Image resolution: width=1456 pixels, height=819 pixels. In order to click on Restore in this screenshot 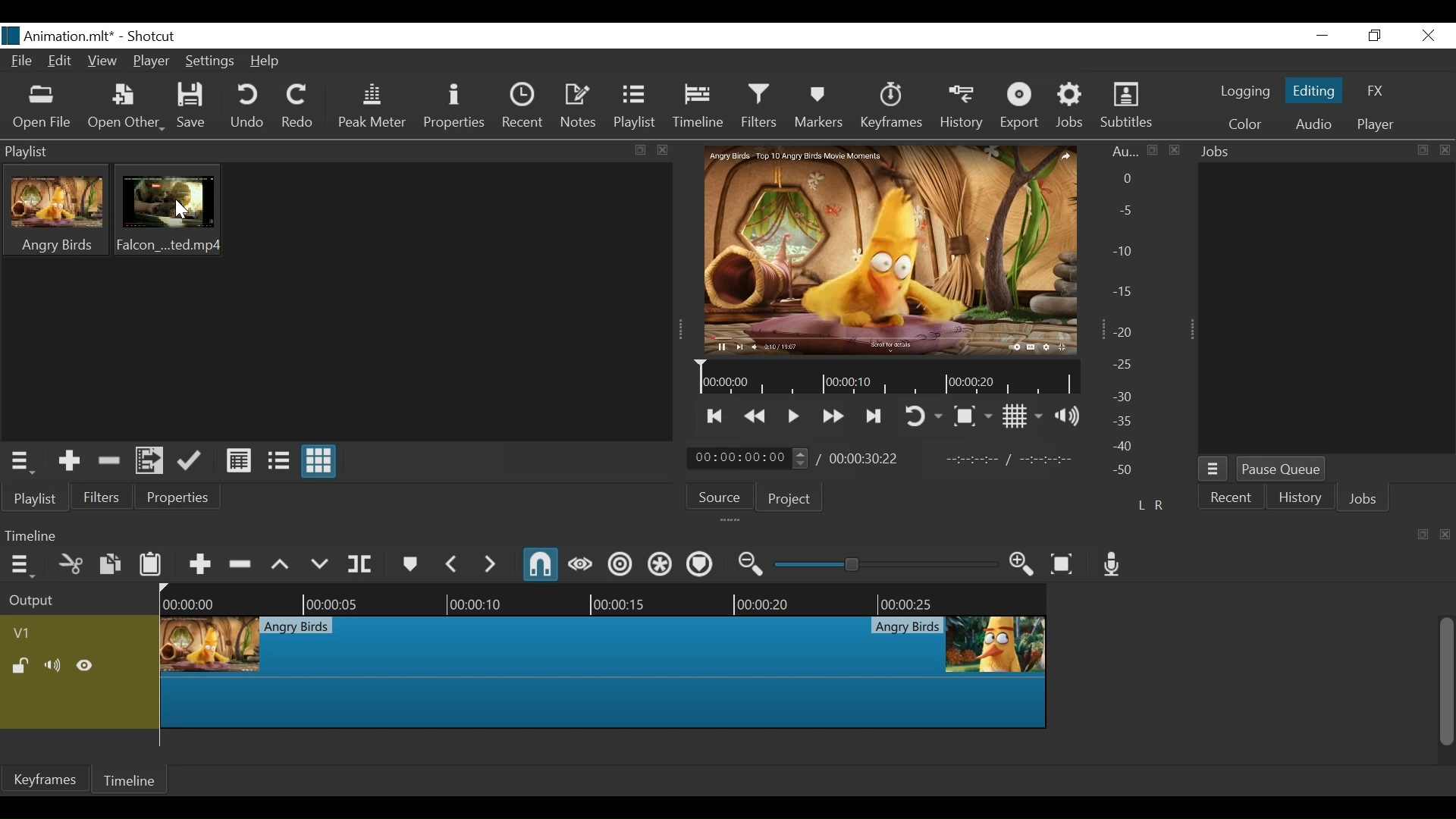, I will do `click(1375, 36)`.